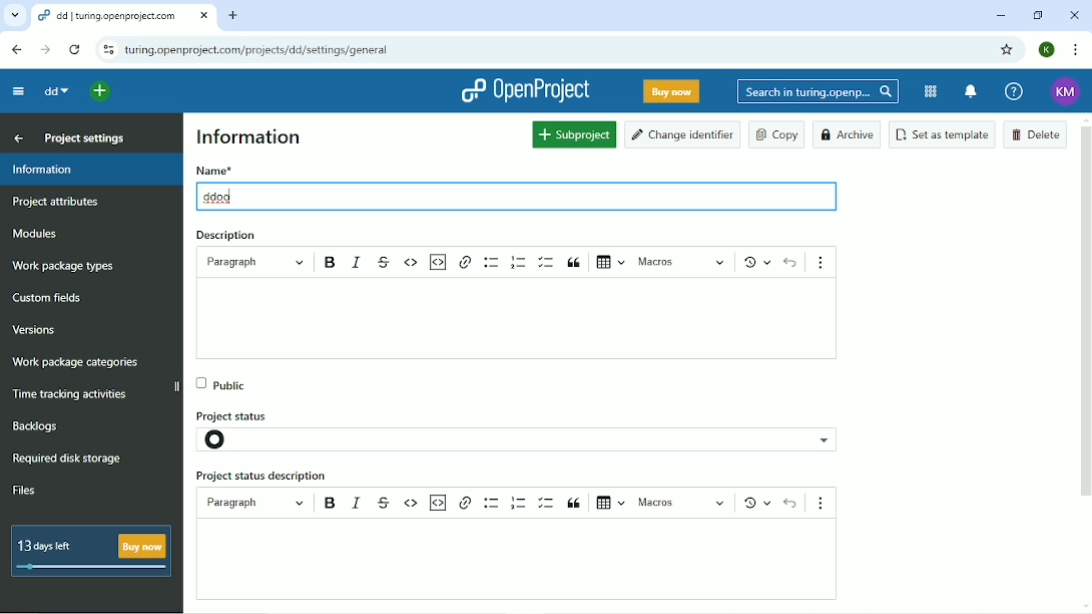 The image size is (1092, 614). I want to click on Backlogs, so click(36, 425).